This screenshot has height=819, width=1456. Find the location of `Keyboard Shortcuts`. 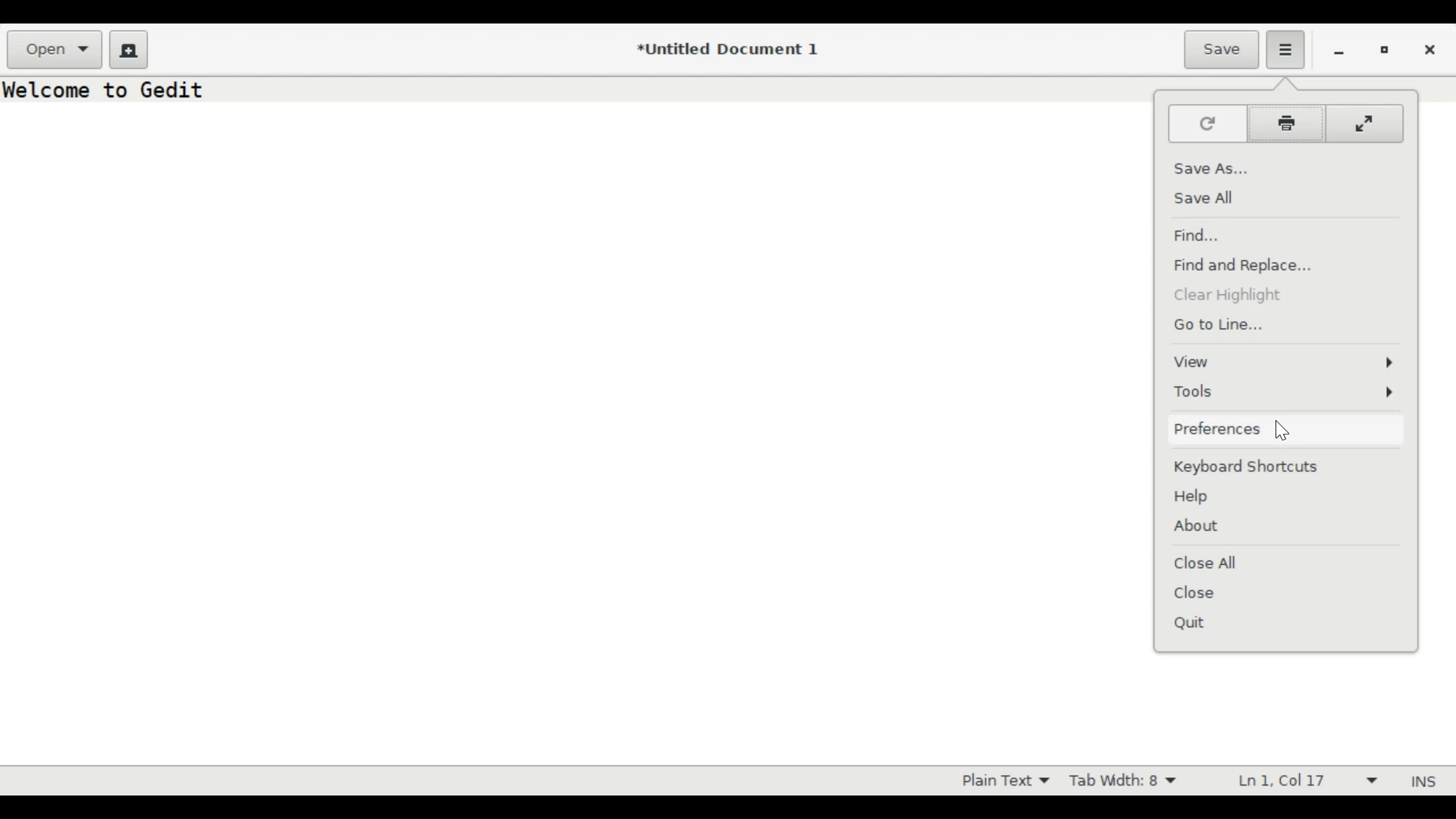

Keyboard Shortcuts is located at coordinates (1250, 467).